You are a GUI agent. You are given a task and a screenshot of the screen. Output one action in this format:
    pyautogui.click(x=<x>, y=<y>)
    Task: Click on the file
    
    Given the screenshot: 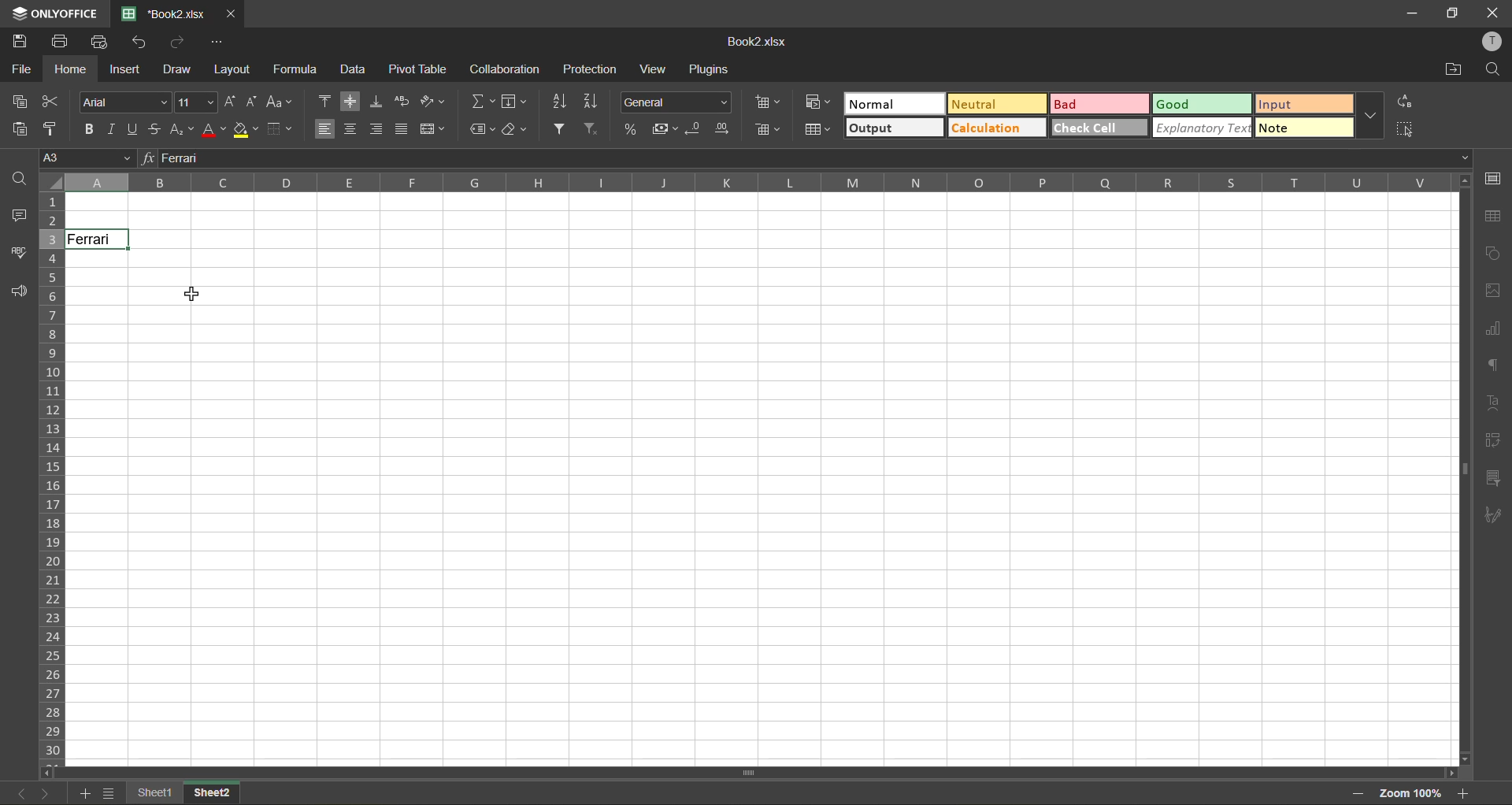 What is the action you would take?
    pyautogui.click(x=20, y=70)
    